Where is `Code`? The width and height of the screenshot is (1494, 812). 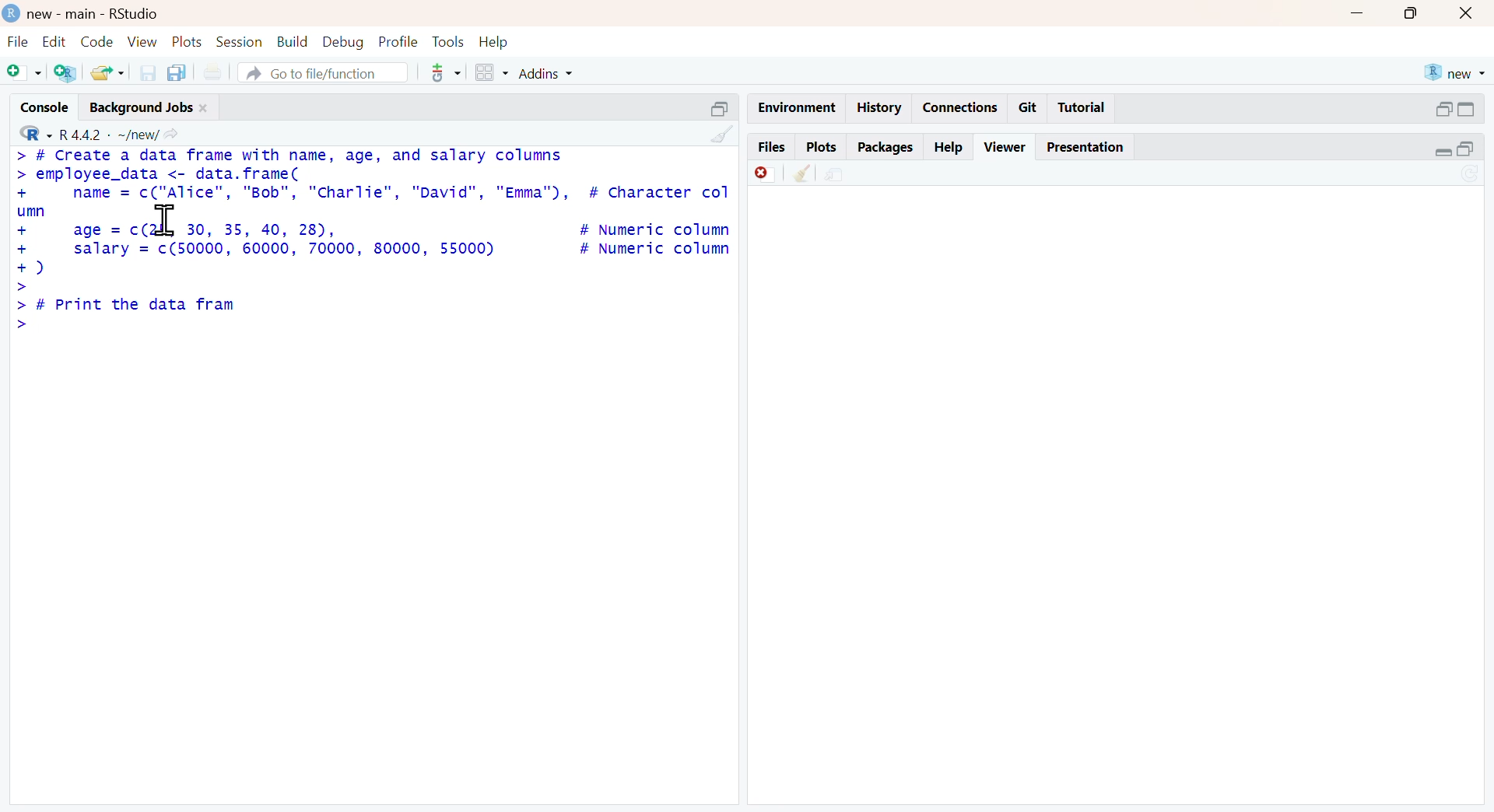
Code is located at coordinates (96, 40).